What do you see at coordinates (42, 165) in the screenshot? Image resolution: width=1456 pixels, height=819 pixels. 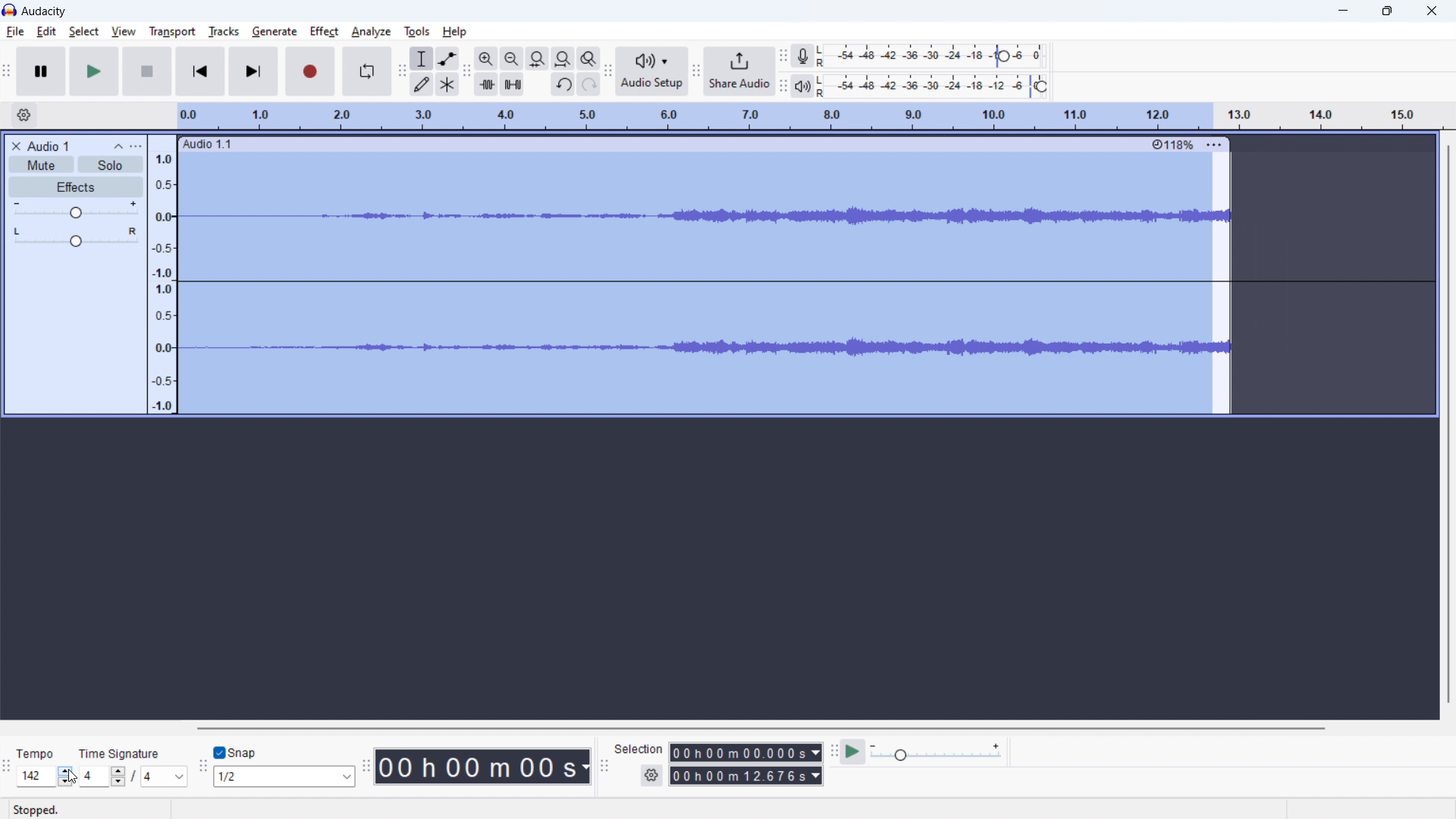 I see `mute` at bounding box center [42, 165].